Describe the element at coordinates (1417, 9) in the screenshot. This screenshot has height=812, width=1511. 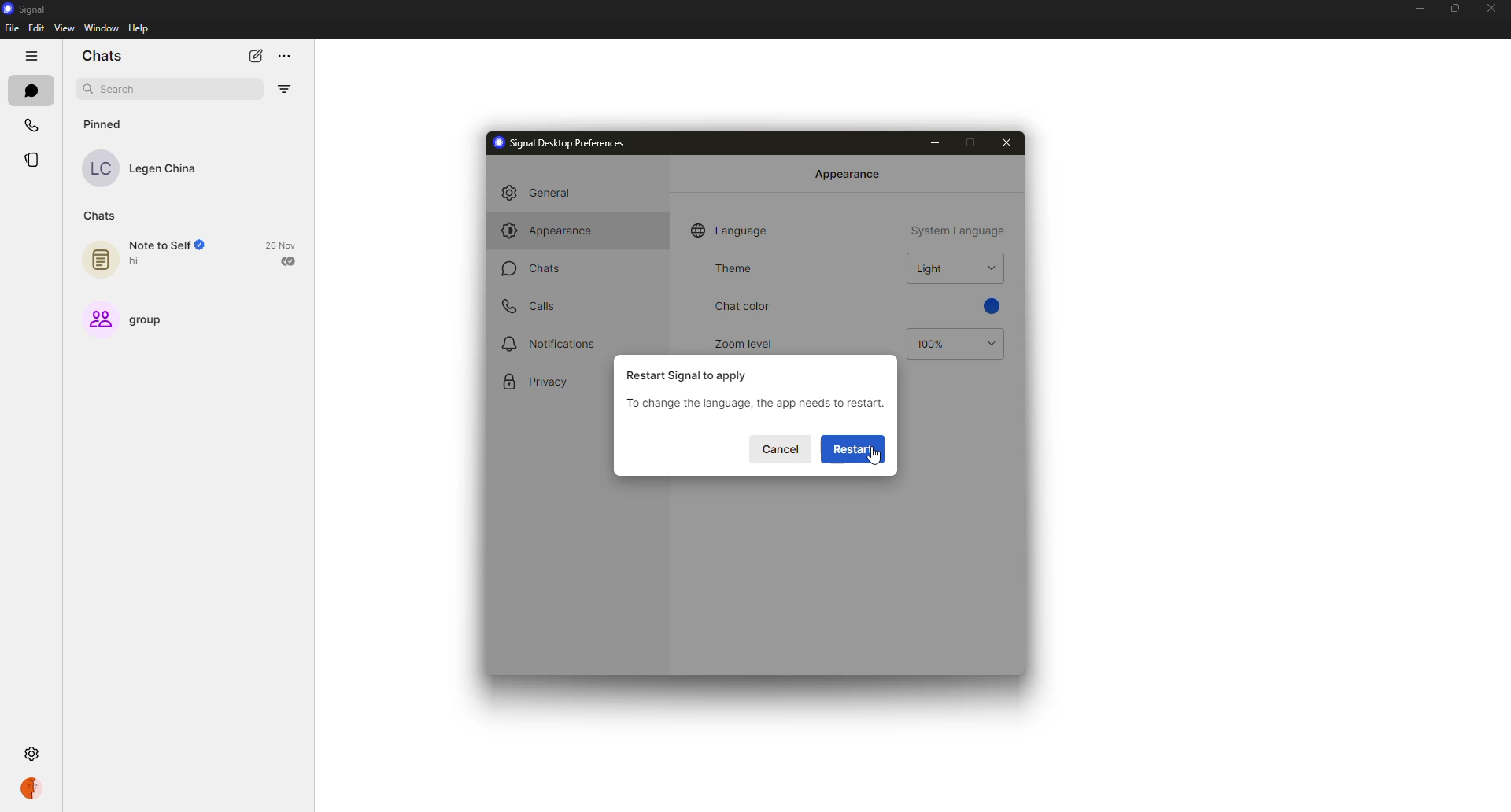
I see `minimize` at that location.